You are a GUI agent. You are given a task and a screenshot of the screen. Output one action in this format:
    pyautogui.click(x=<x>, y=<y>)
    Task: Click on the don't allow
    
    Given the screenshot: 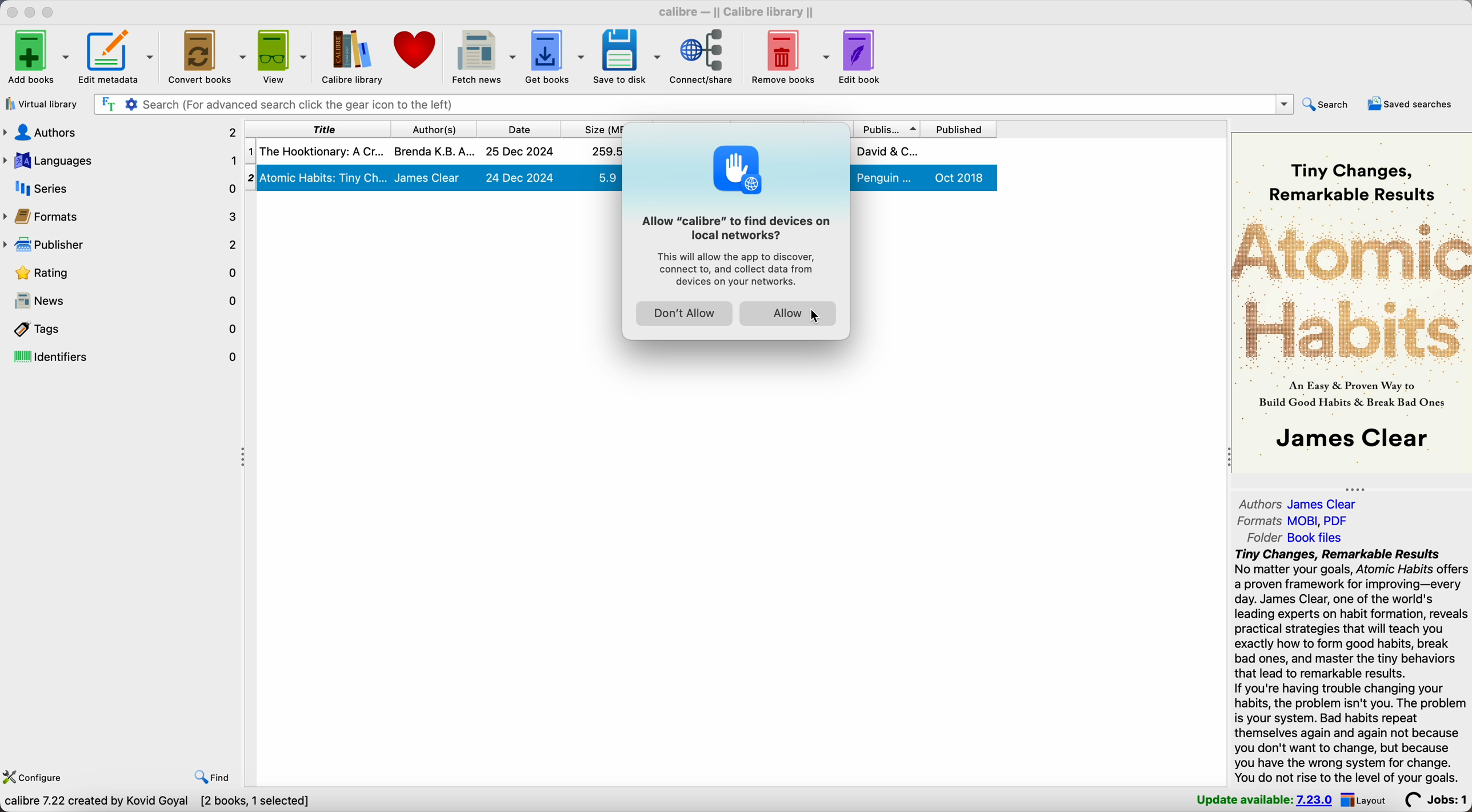 What is the action you would take?
    pyautogui.click(x=683, y=313)
    